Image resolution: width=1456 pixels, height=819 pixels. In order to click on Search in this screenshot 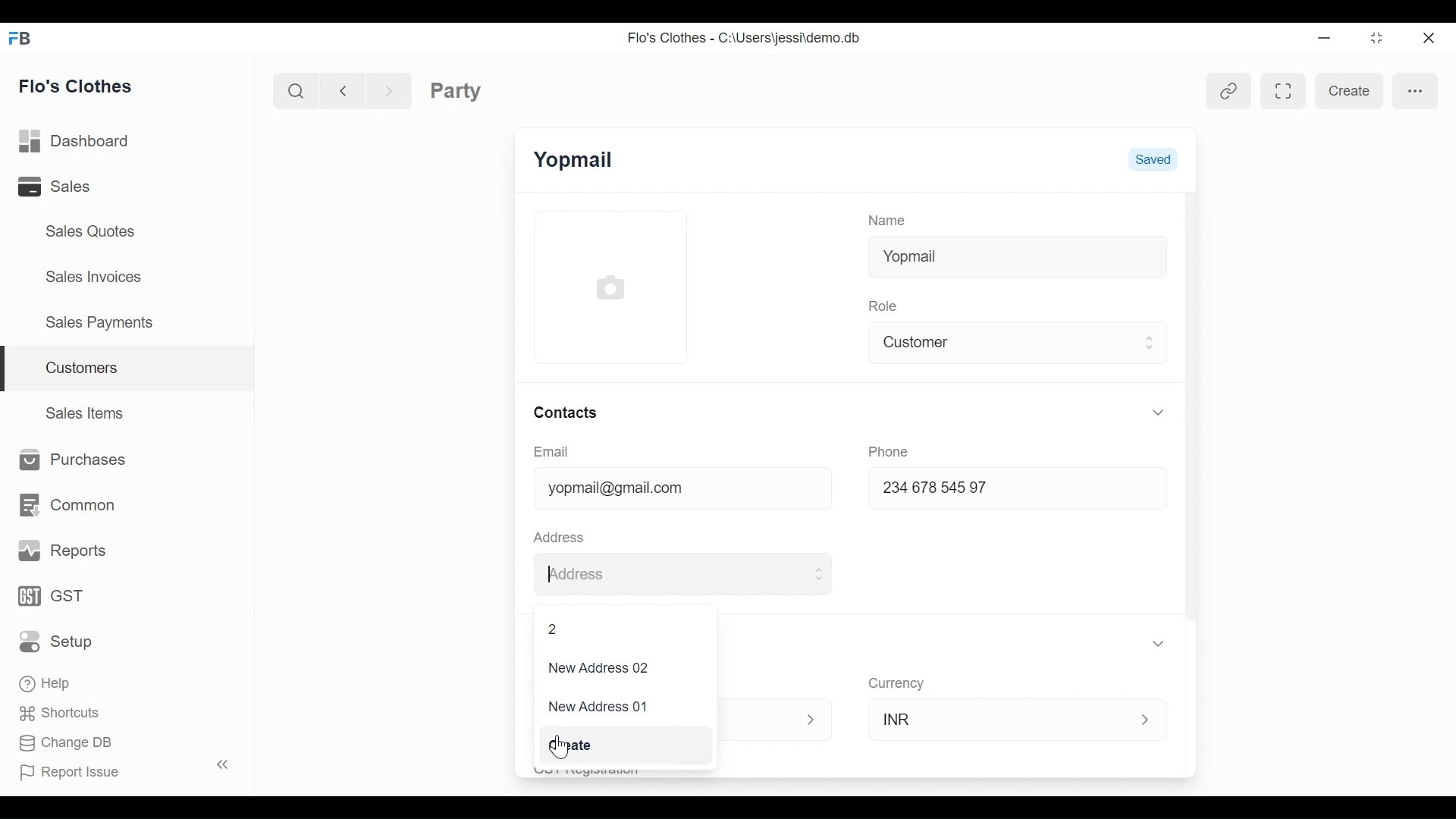, I will do `click(299, 90)`.